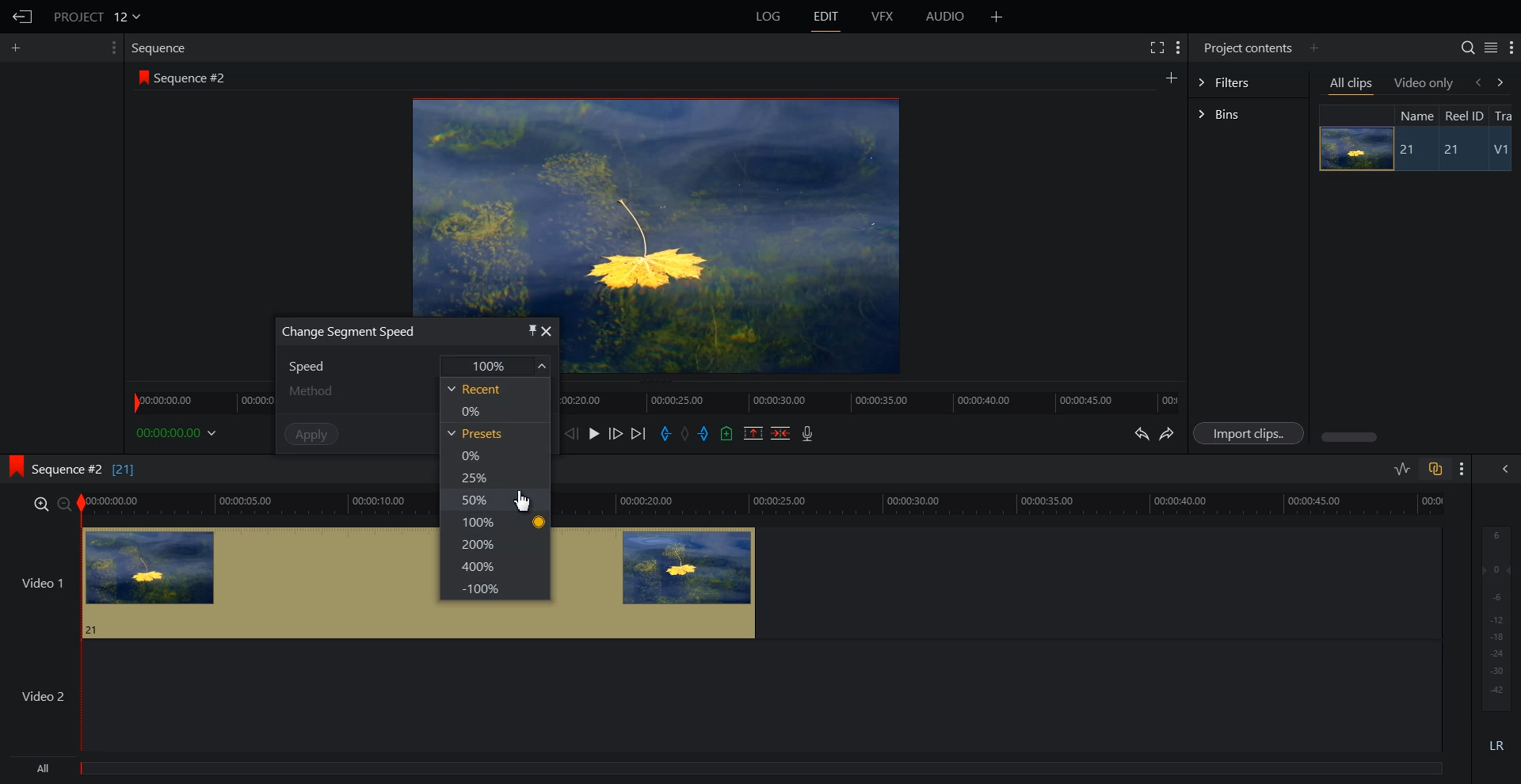 Image resolution: width=1521 pixels, height=784 pixels. What do you see at coordinates (1458, 150) in the screenshot?
I see `21` at bounding box center [1458, 150].